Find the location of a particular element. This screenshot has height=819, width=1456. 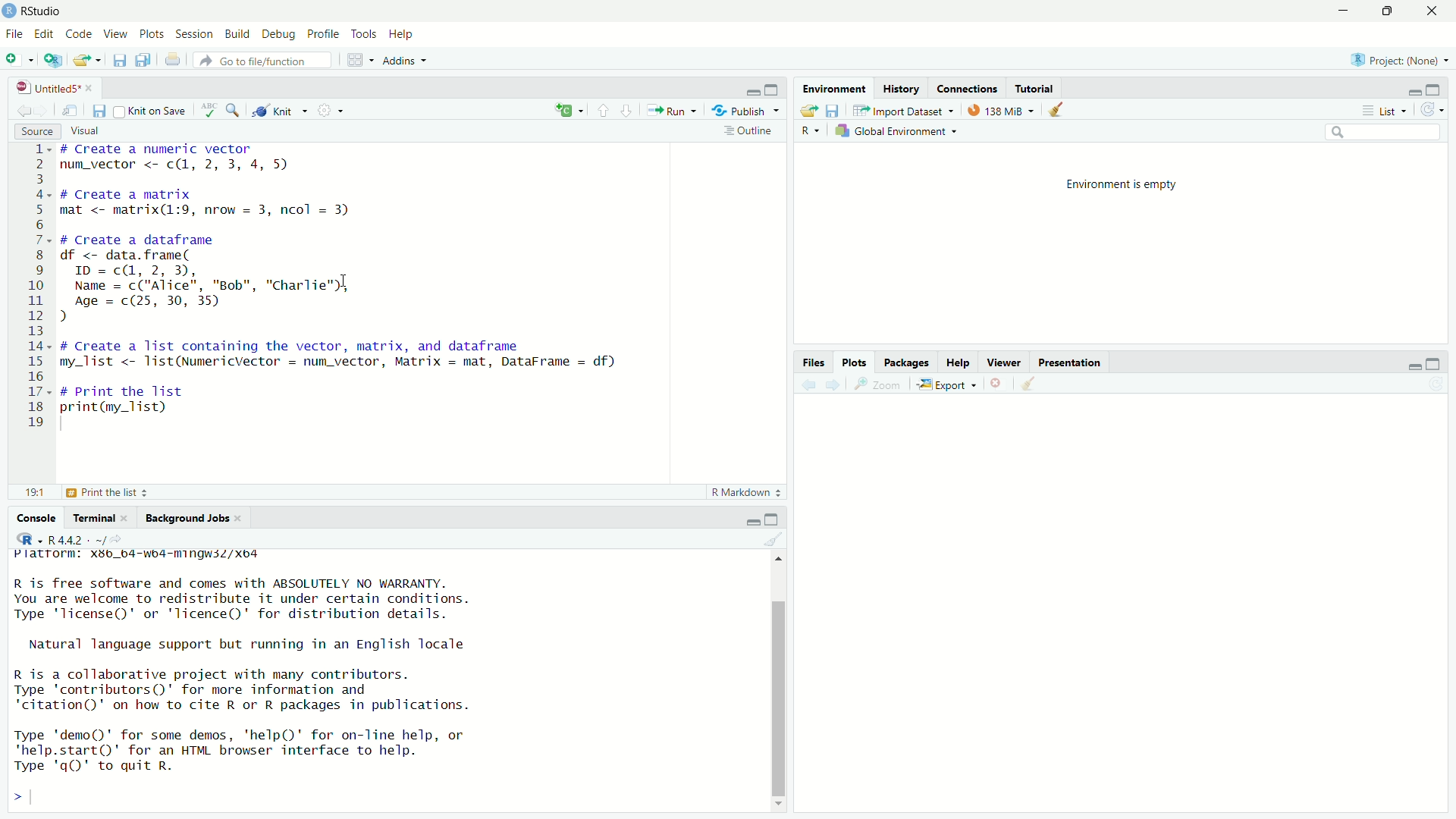

View is located at coordinates (117, 35).